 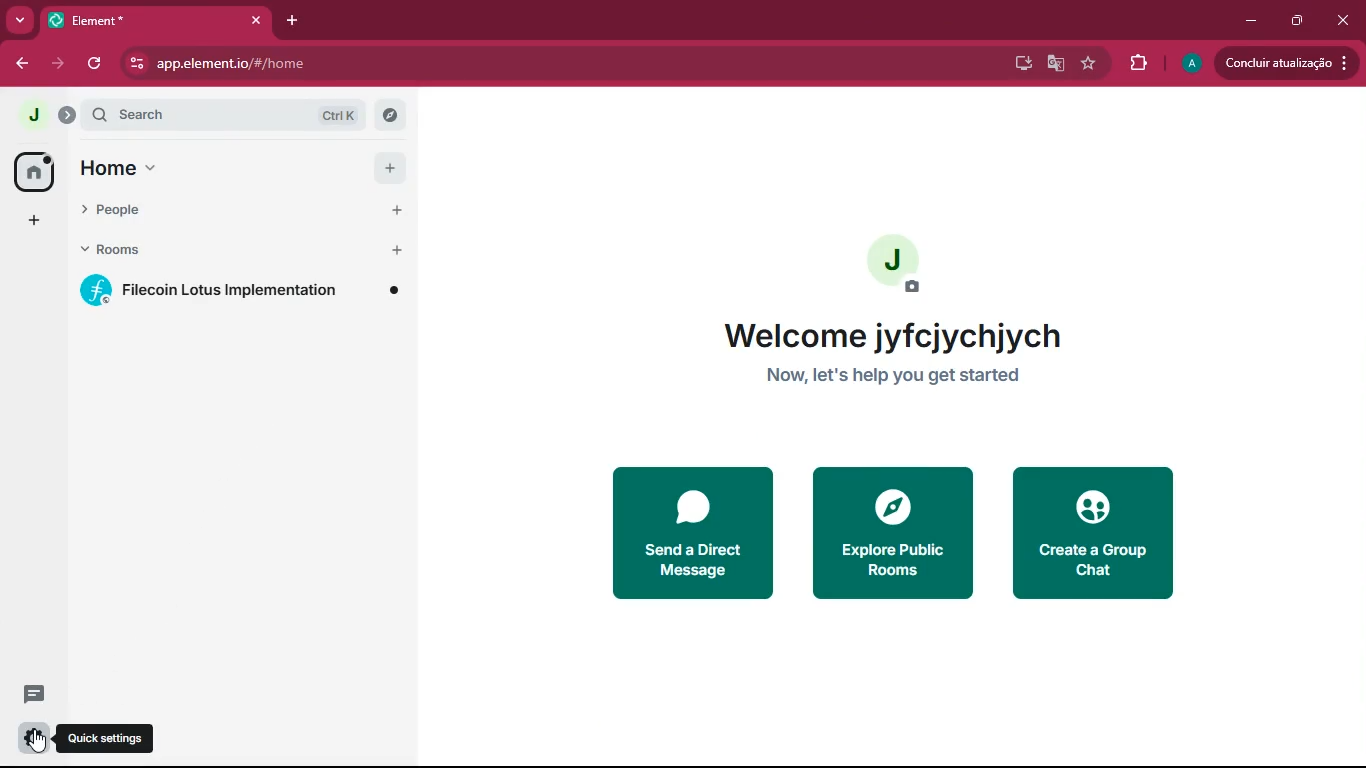 I want to click on close, so click(x=255, y=20).